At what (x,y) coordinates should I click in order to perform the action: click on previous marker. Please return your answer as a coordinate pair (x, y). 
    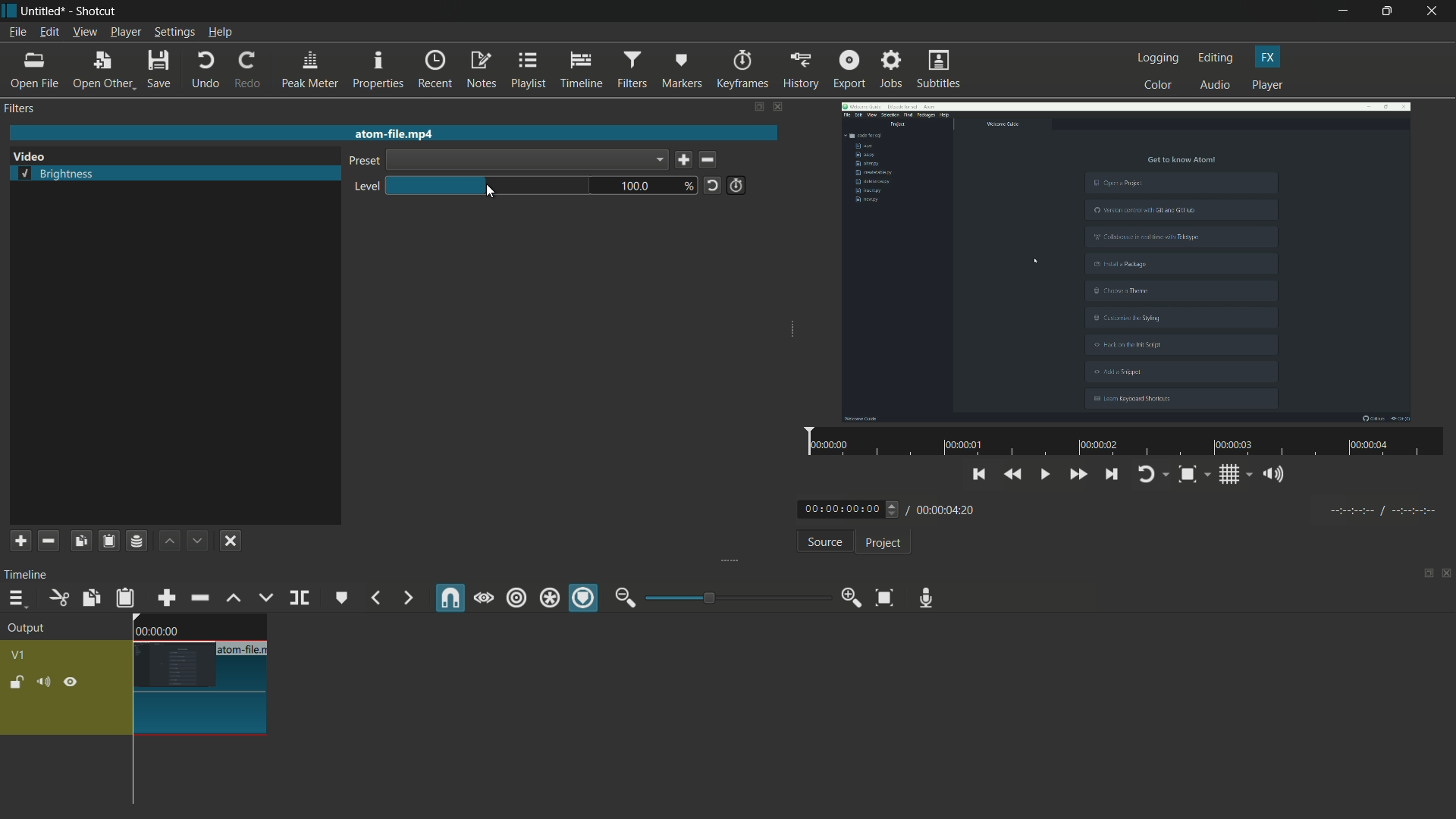
    Looking at the image, I should click on (375, 598).